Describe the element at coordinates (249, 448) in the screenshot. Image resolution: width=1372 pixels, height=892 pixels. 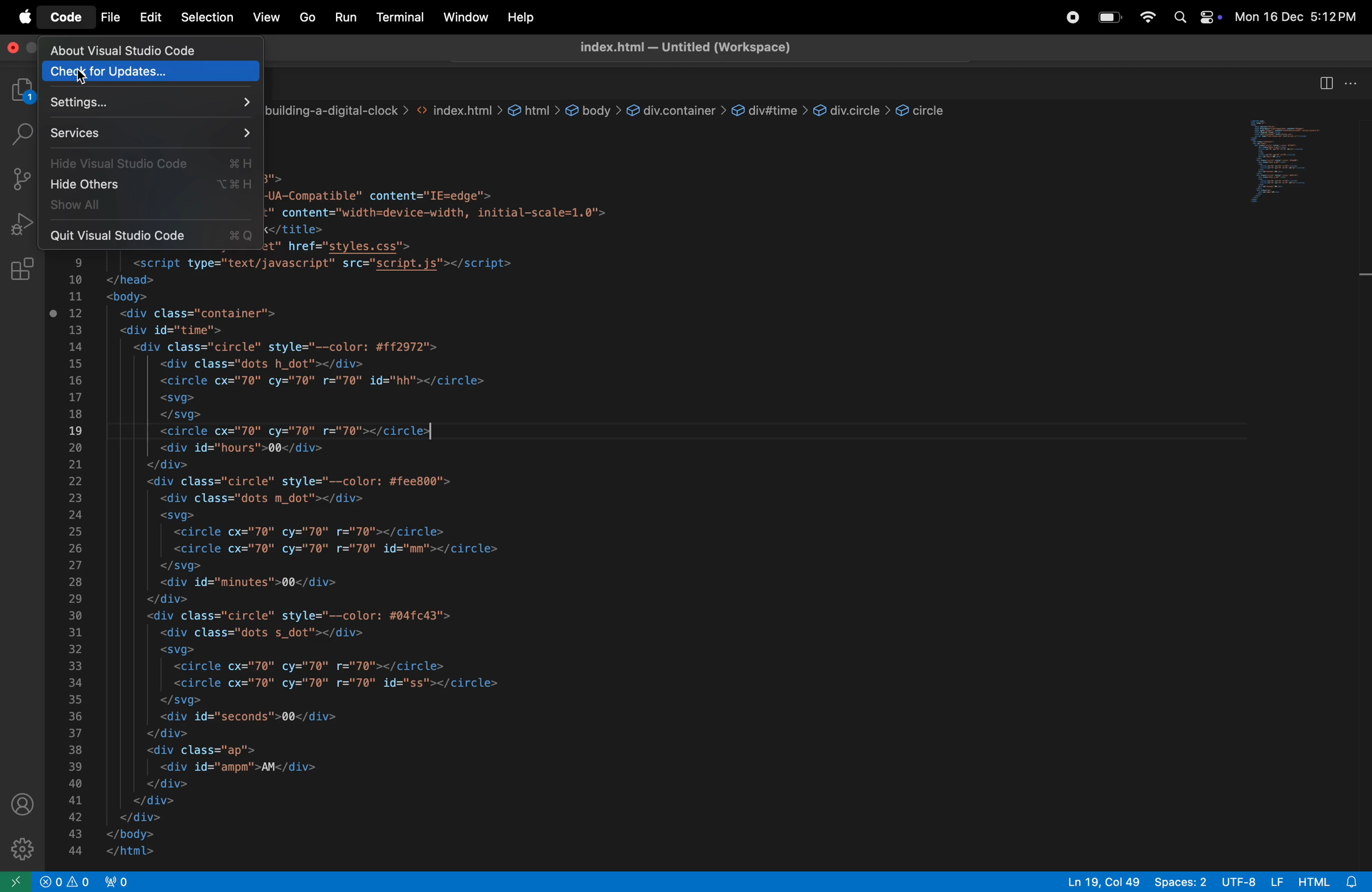
I see `| <div id="hours">00</div>` at that location.